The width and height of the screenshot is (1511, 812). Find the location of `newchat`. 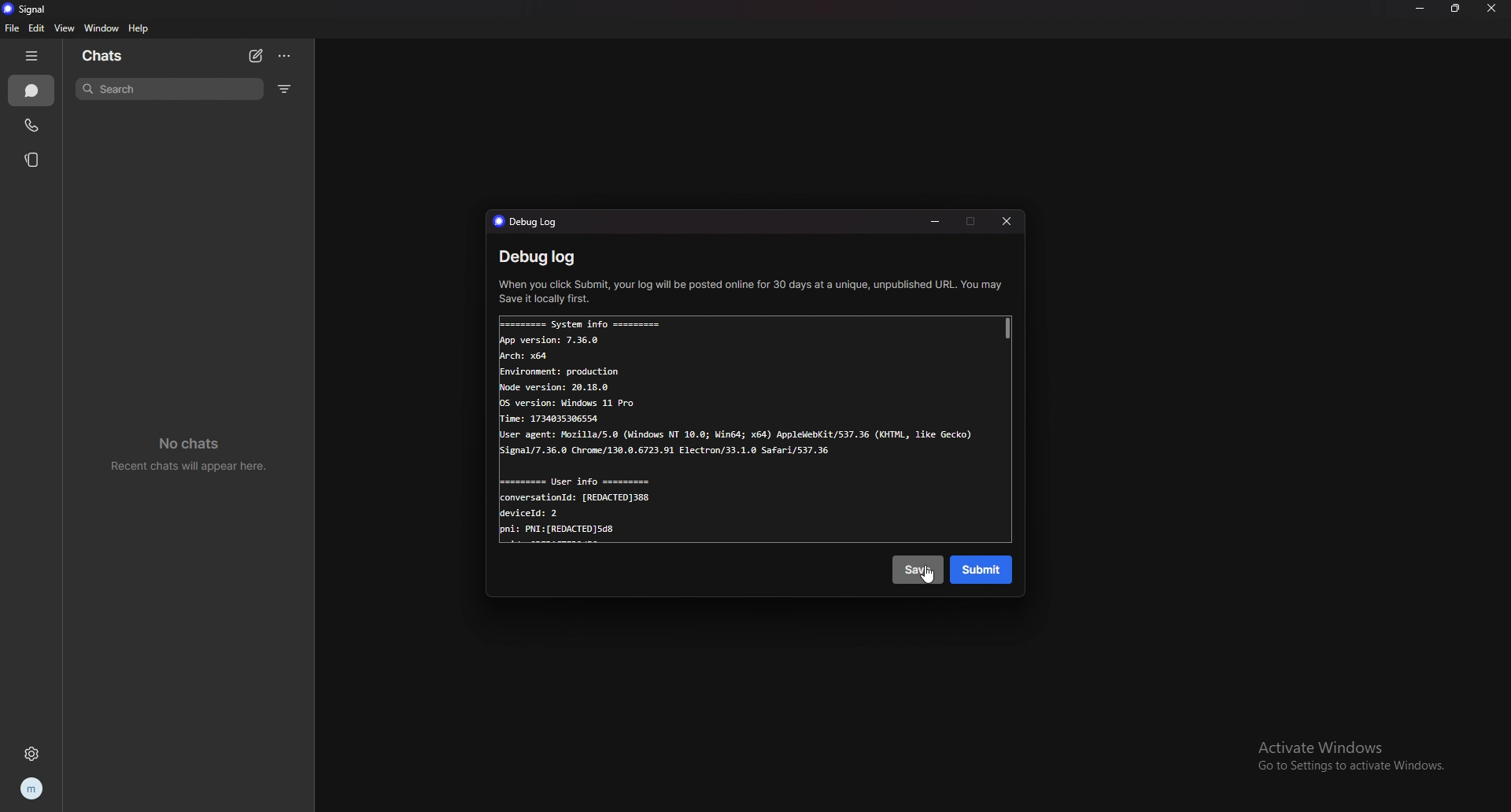

newchat is located at coordinates (256, 55).